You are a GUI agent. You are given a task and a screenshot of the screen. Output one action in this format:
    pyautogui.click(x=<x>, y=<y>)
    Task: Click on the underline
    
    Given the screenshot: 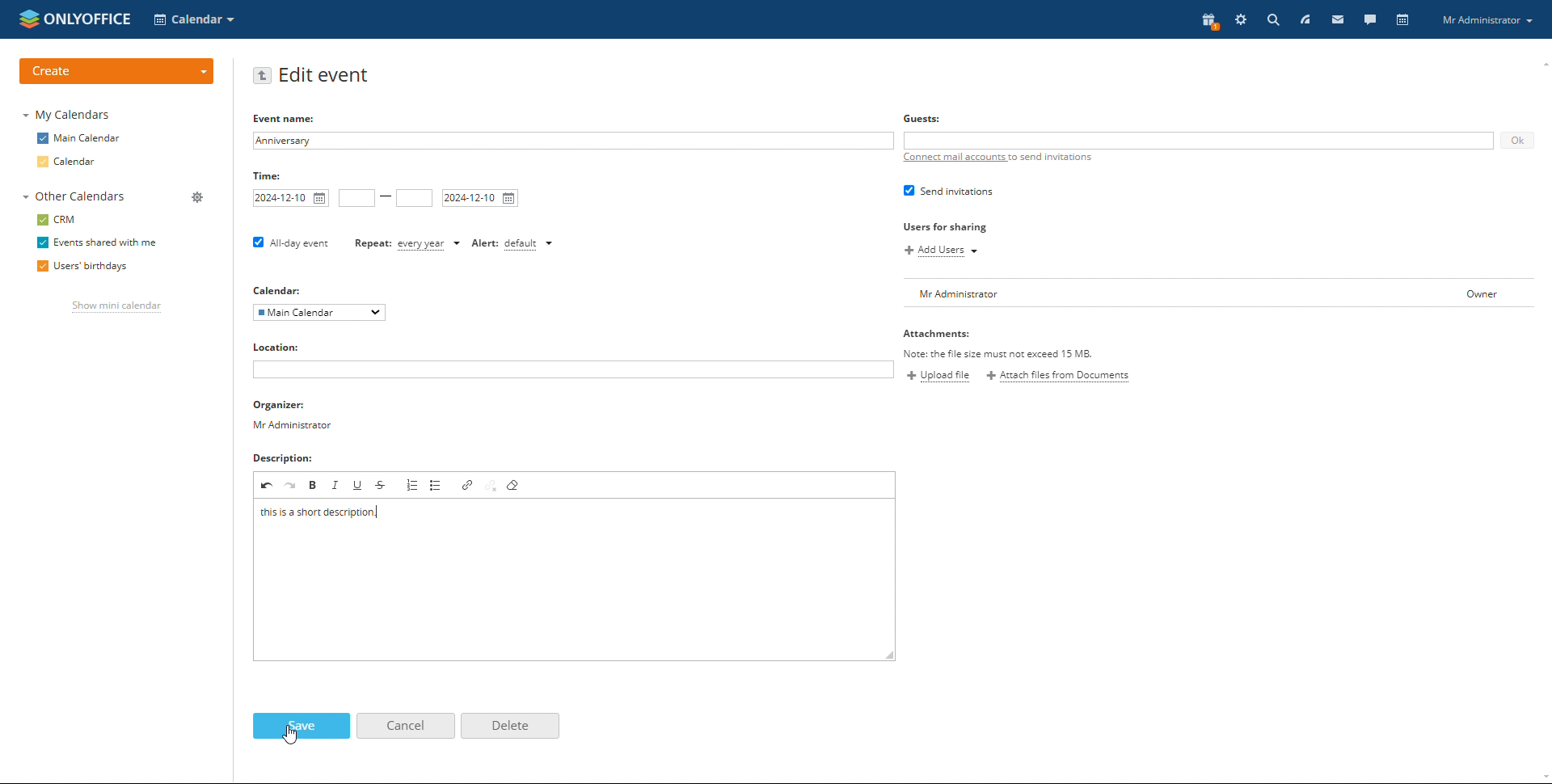 What is the action you would take?
    pyautogui.click(x=359, y=484)
    